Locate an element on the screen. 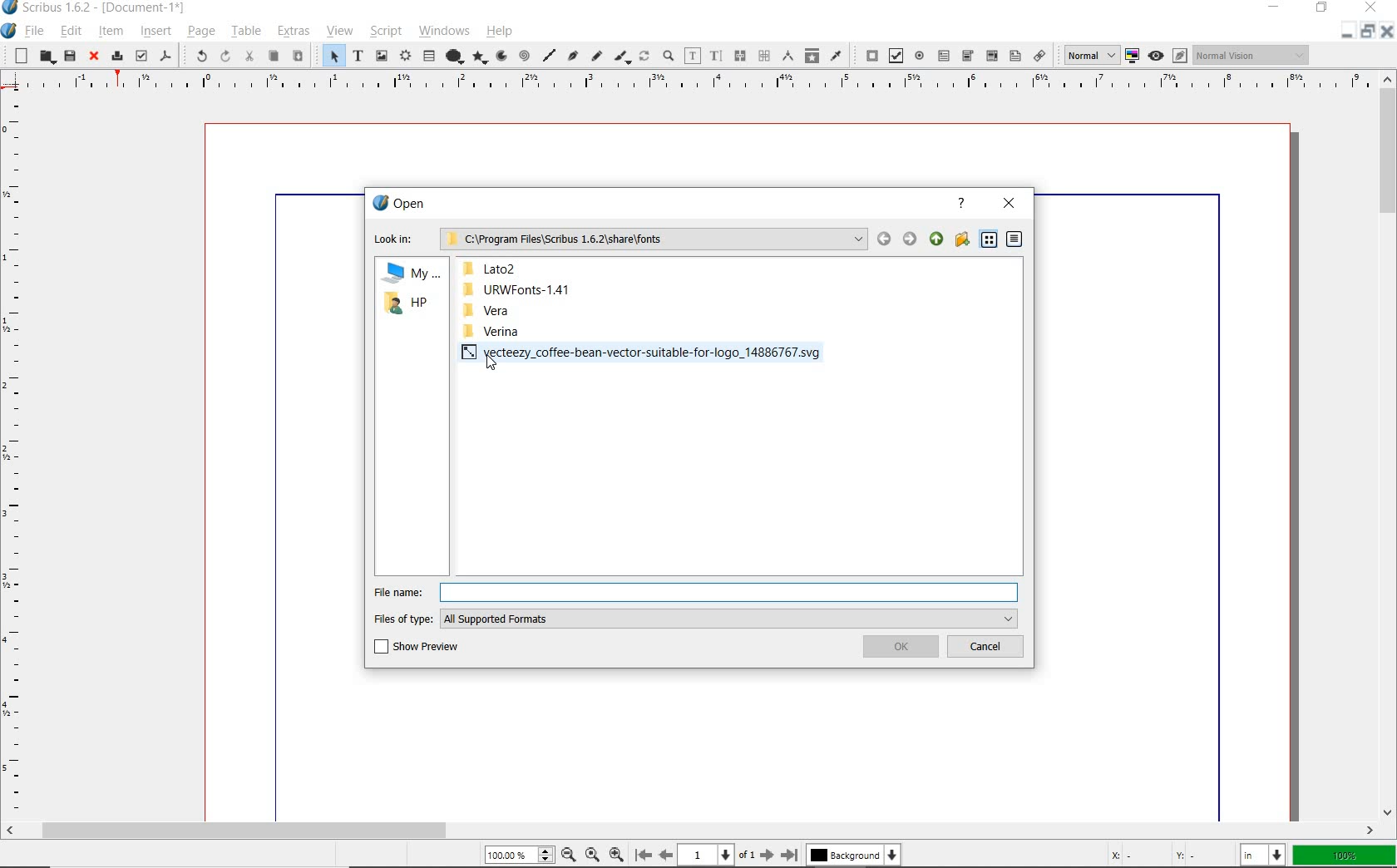 This screenshot has height=868, width=1397. item is located at coordinates (111, 32).